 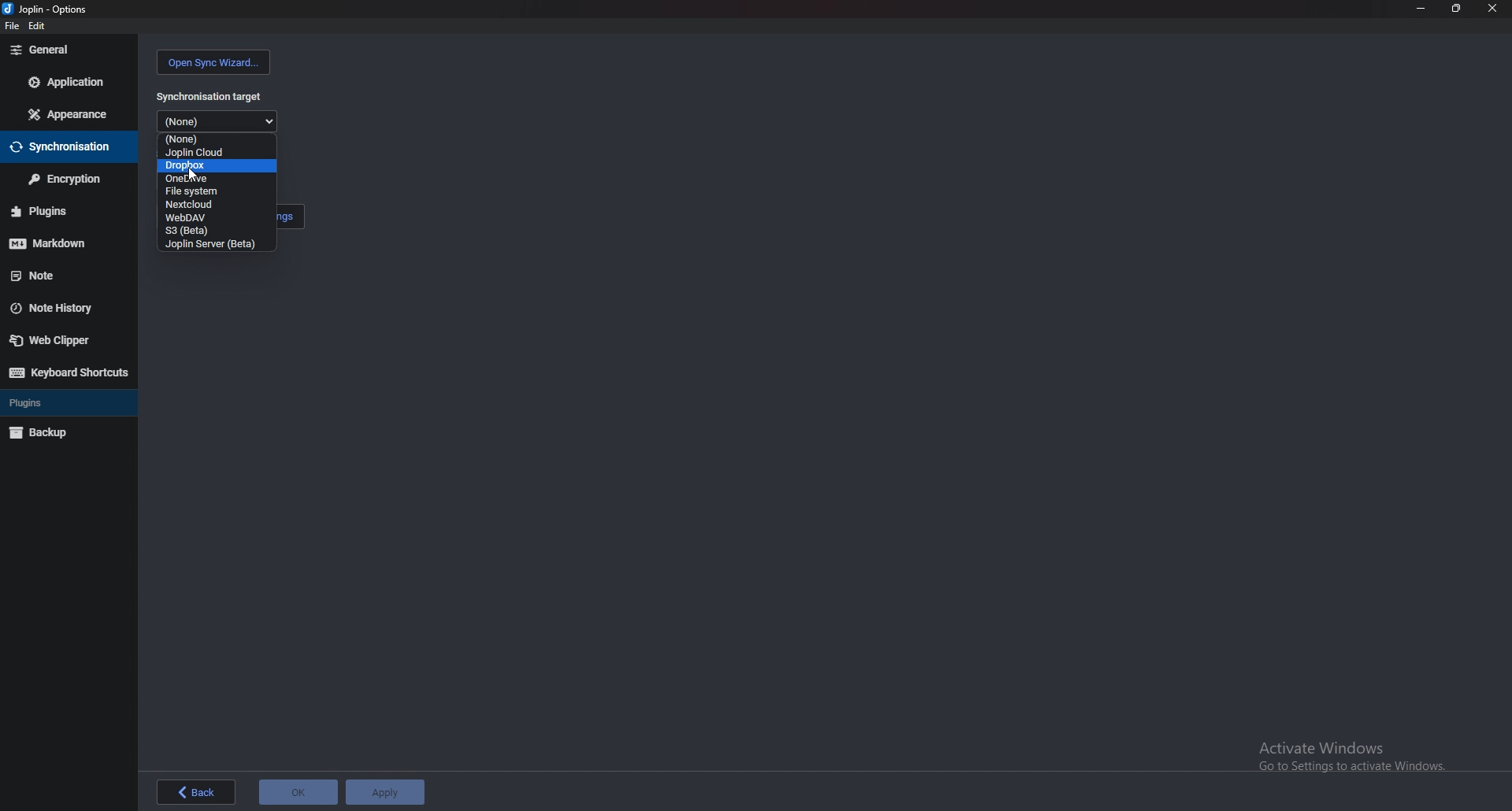 What do you see at coordinates (211, 96) in the screenshot?
I see `synchronization target` at bounding box center [211, 96].